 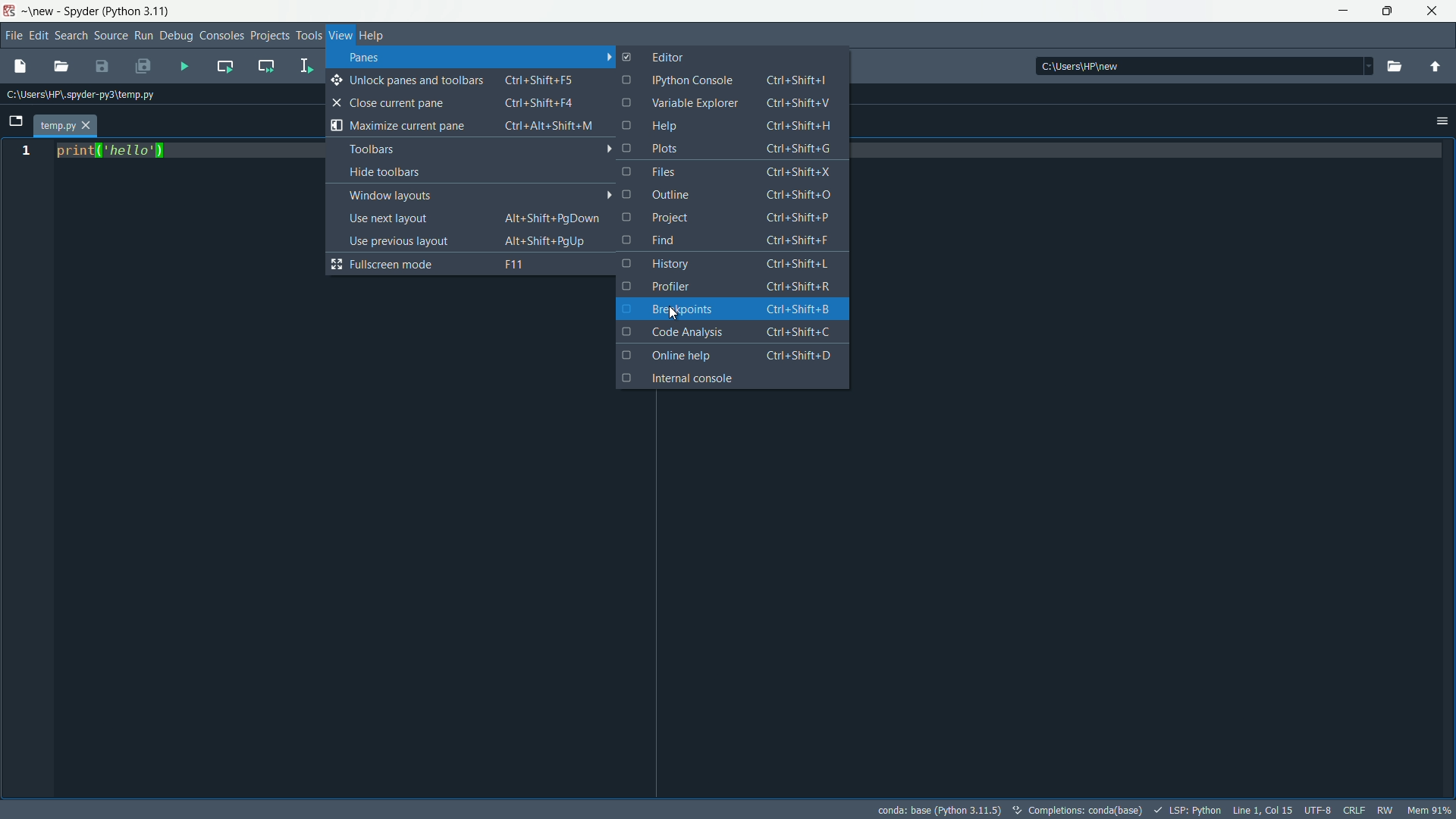 What do you see at coordinates (70, 37) in the screenshot?
I see `search menu` at bounding box center [70, 37].